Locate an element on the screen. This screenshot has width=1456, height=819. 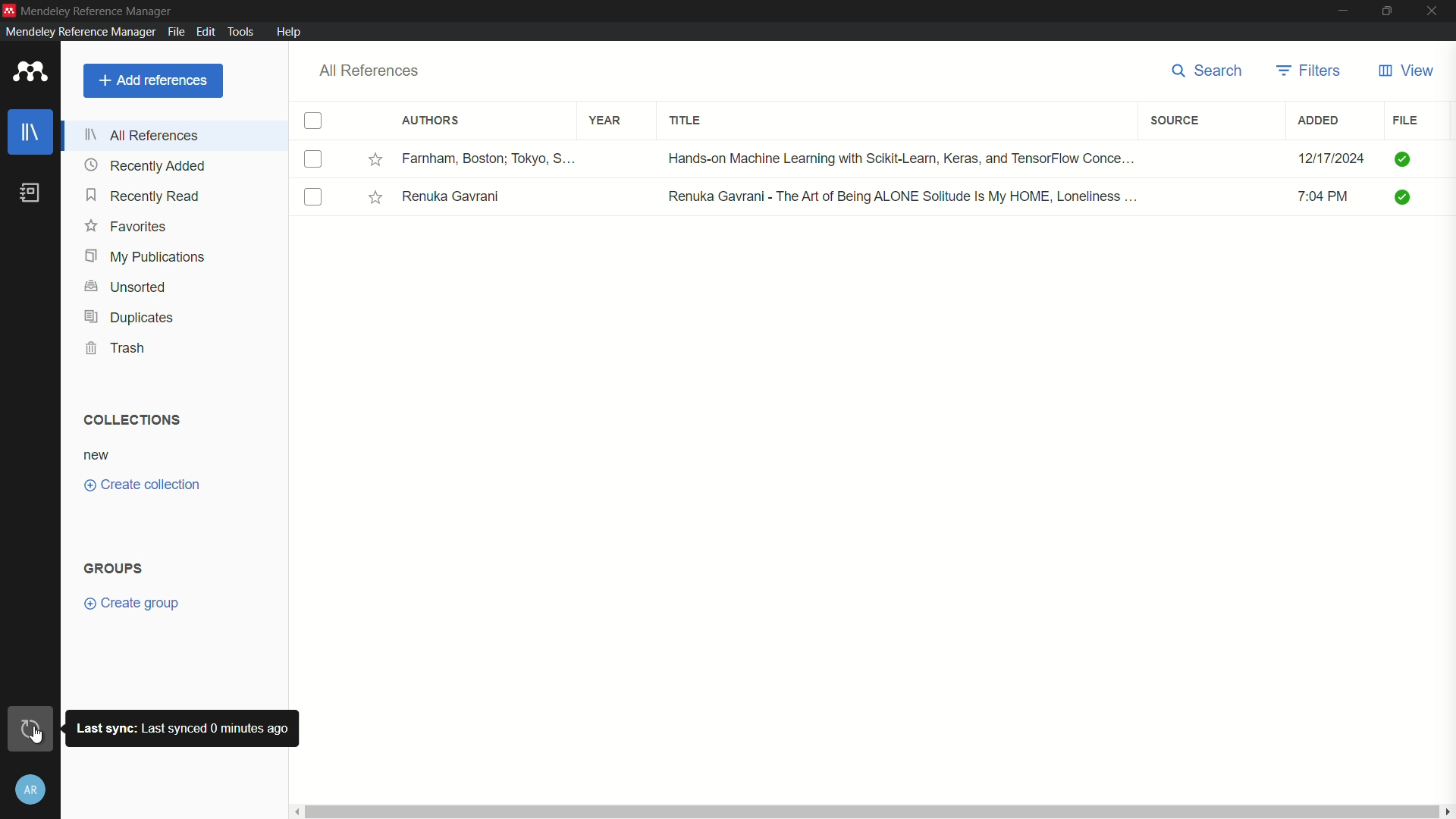
Date is located at coordinates (1312, 155).